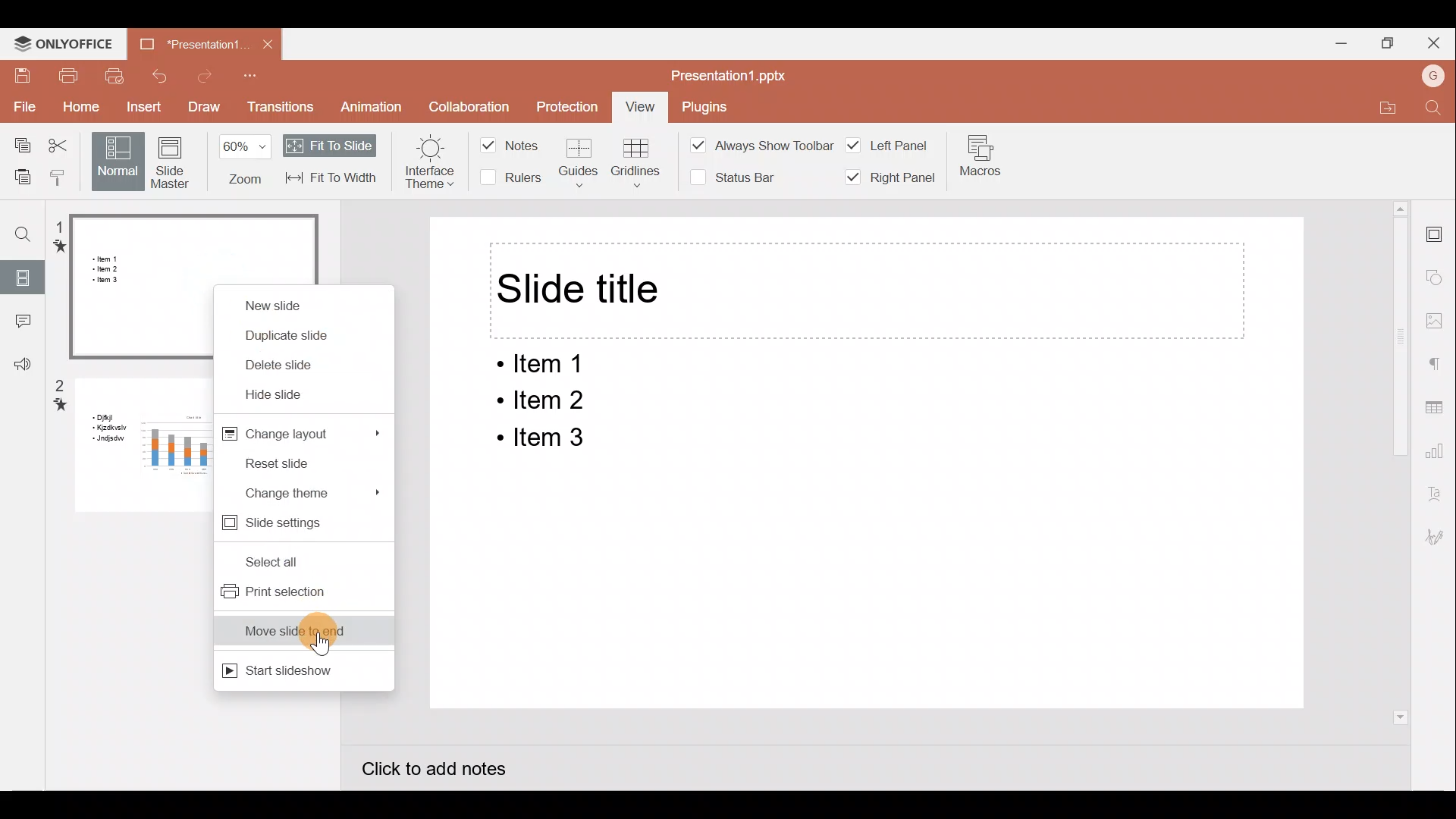  Describe the element at coordinates (170, 160) in the screenshot. I see `Slide Master` at that location.